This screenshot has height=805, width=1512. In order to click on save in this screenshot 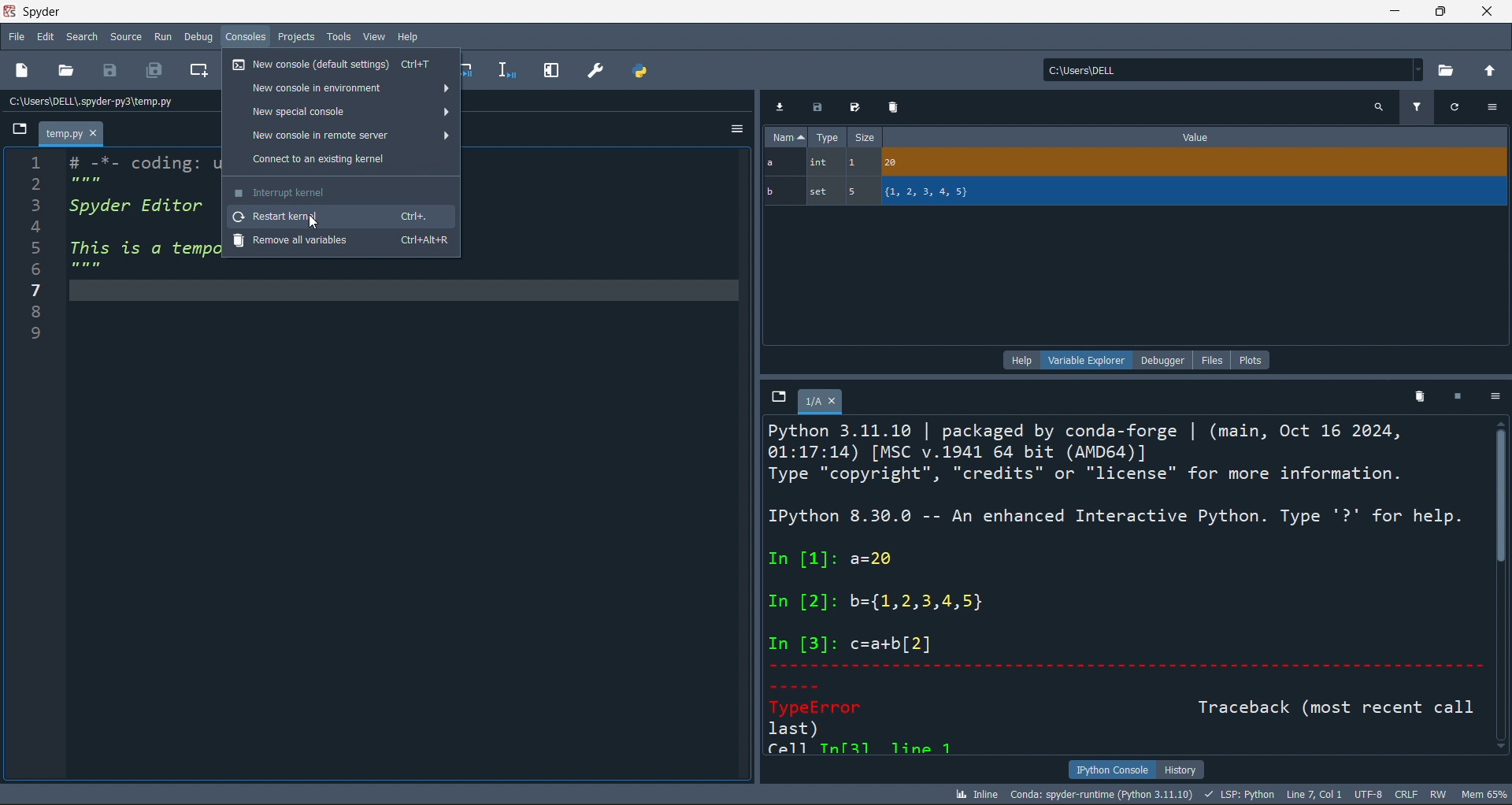, I will do `click(110, 72)`.